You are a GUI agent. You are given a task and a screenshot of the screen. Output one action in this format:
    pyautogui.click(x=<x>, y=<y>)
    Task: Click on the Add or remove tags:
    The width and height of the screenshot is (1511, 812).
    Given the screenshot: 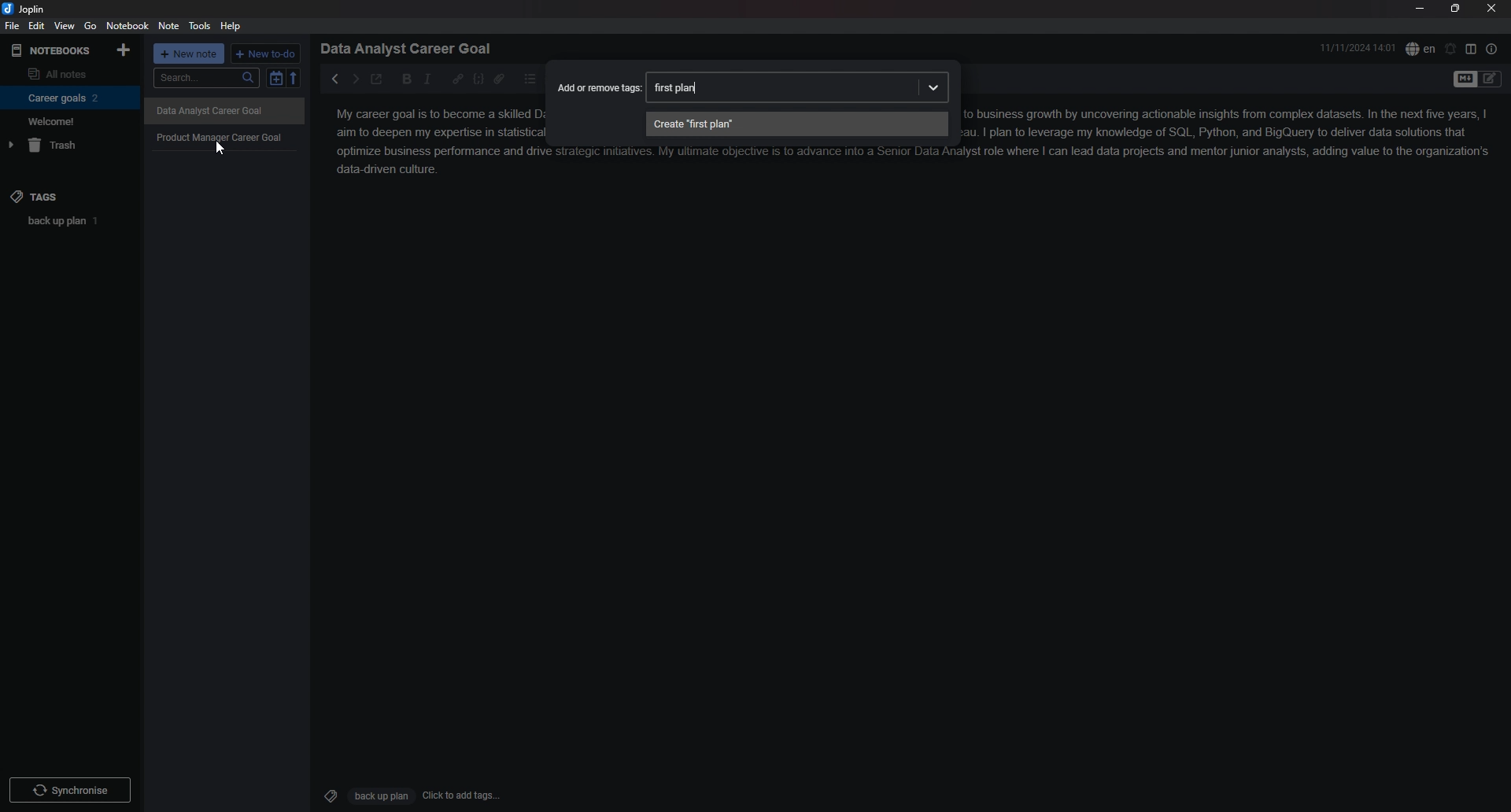 What is the action you would take?
    pyautogui.click(x=594, y=81)
    